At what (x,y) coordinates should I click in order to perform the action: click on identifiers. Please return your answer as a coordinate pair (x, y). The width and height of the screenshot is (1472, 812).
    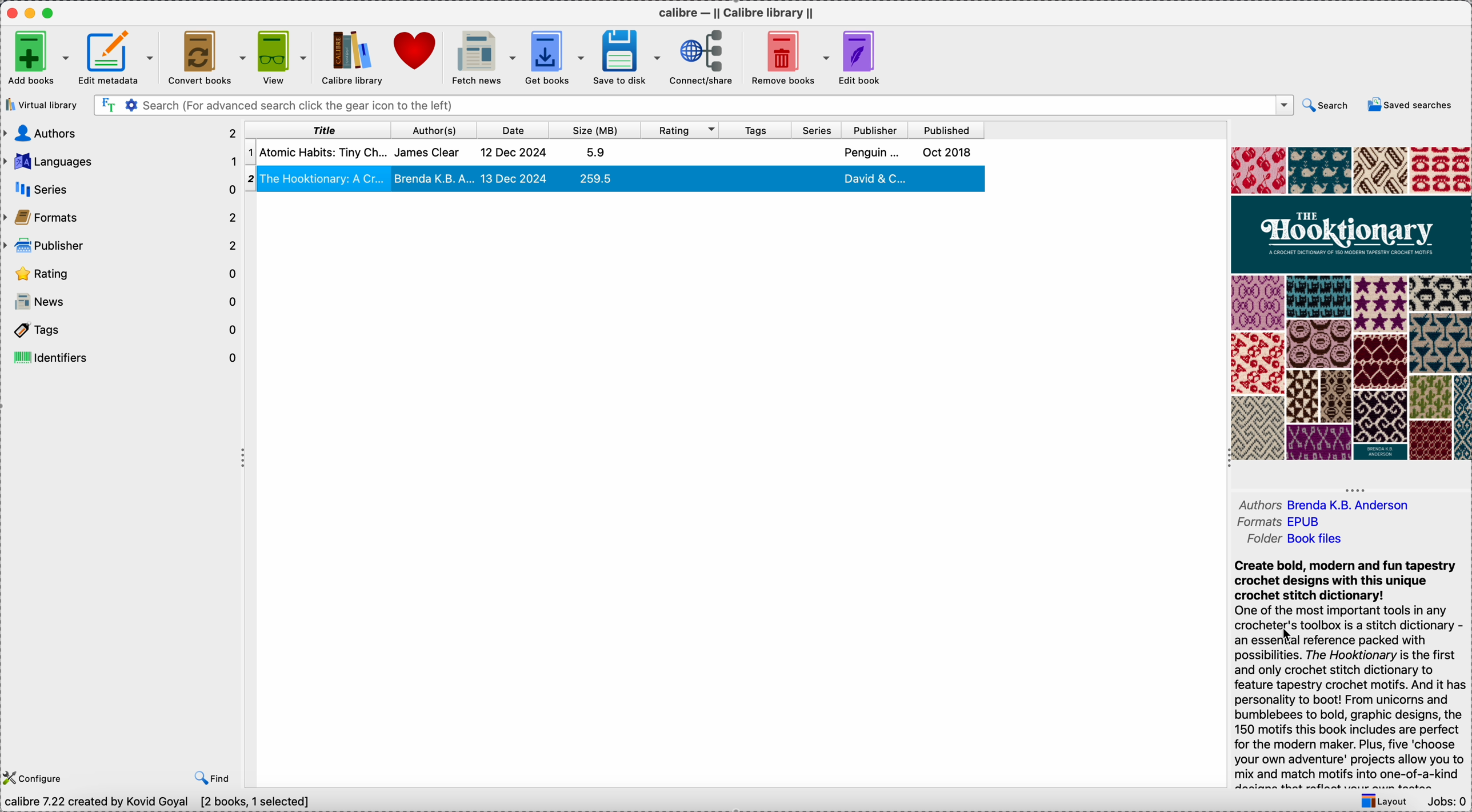
    Looking at the image, I should click on (122, 359).